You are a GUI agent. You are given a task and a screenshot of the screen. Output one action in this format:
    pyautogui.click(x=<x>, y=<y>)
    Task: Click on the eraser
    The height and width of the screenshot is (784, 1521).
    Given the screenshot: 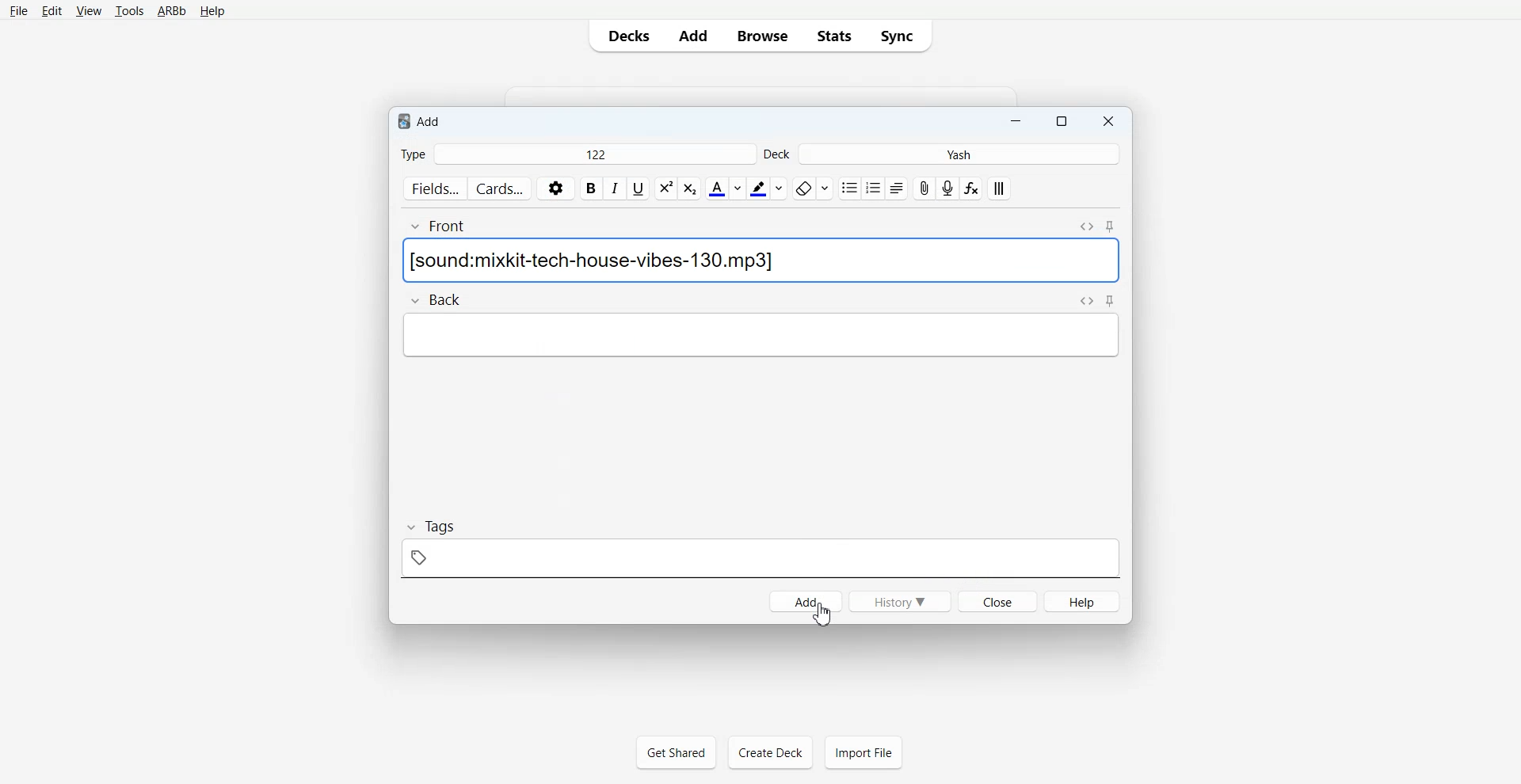 What is the action you would take?
    pyautogui.click(x=814, y=188)
    